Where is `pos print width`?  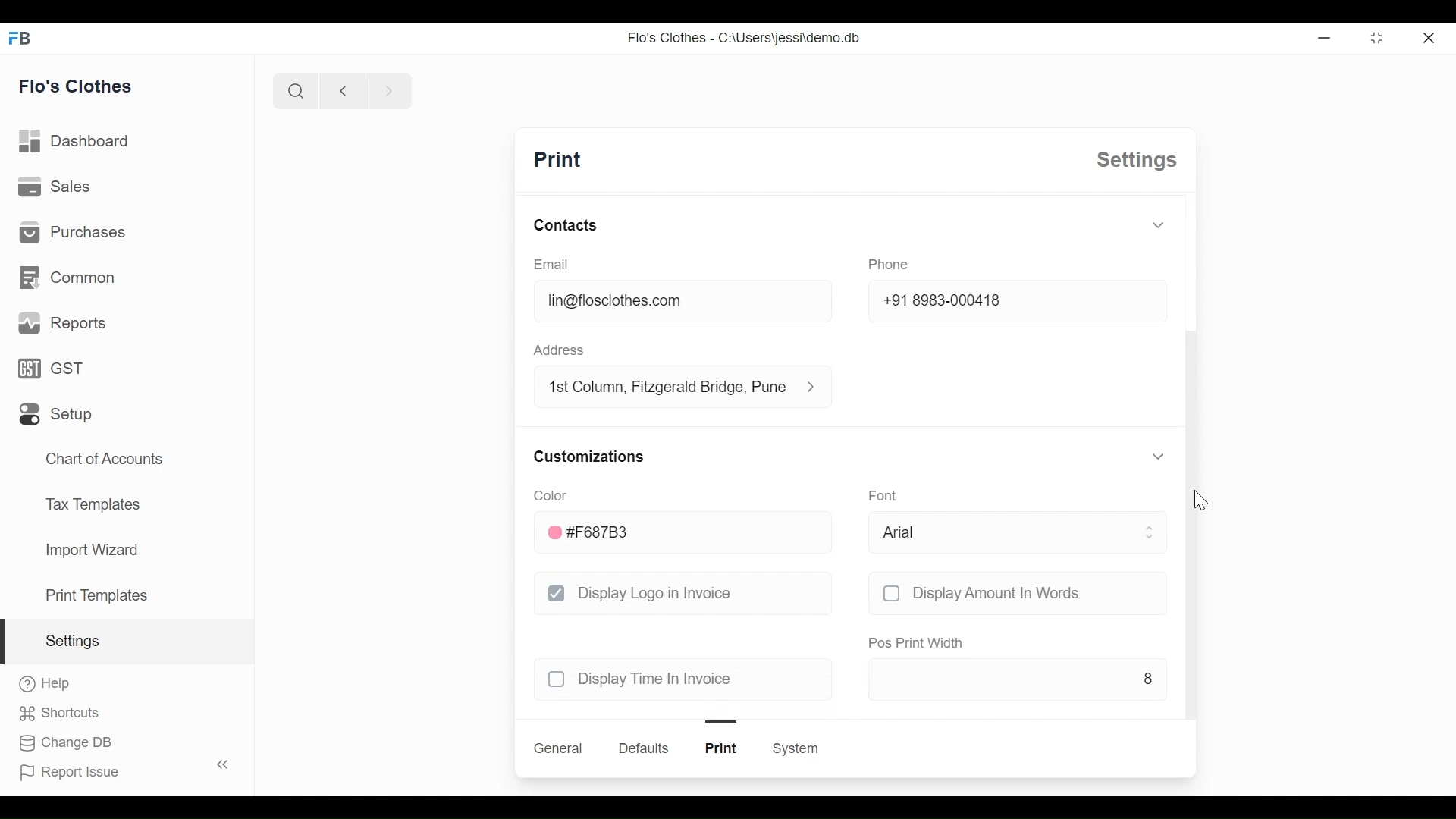
pos print width is located at coordinates (916, 644).